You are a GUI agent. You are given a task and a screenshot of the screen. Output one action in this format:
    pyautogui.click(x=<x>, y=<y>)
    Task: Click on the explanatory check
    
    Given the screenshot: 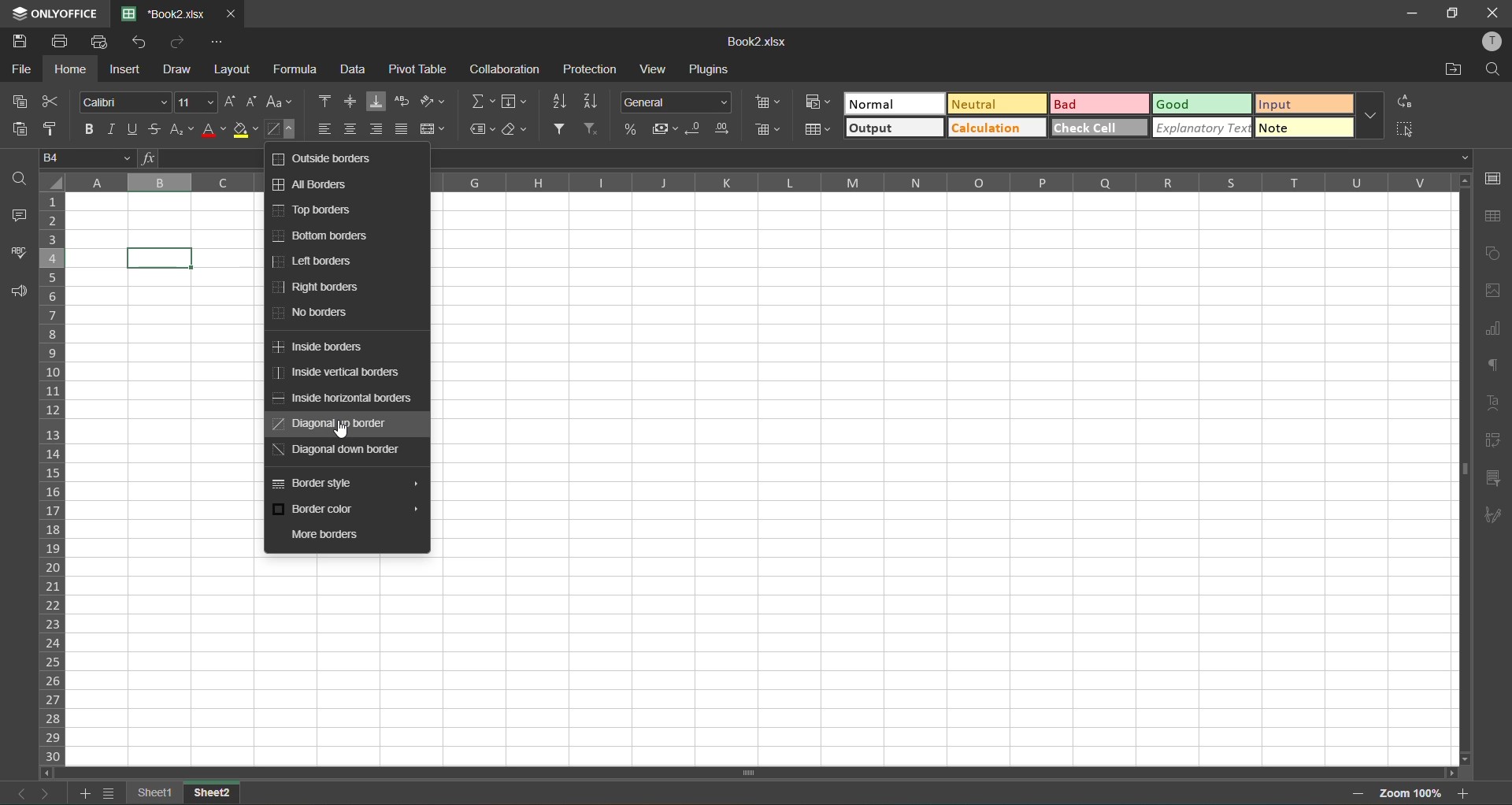 What is the action you would take?
    pyautogui.click(x=1202, y=127)
    